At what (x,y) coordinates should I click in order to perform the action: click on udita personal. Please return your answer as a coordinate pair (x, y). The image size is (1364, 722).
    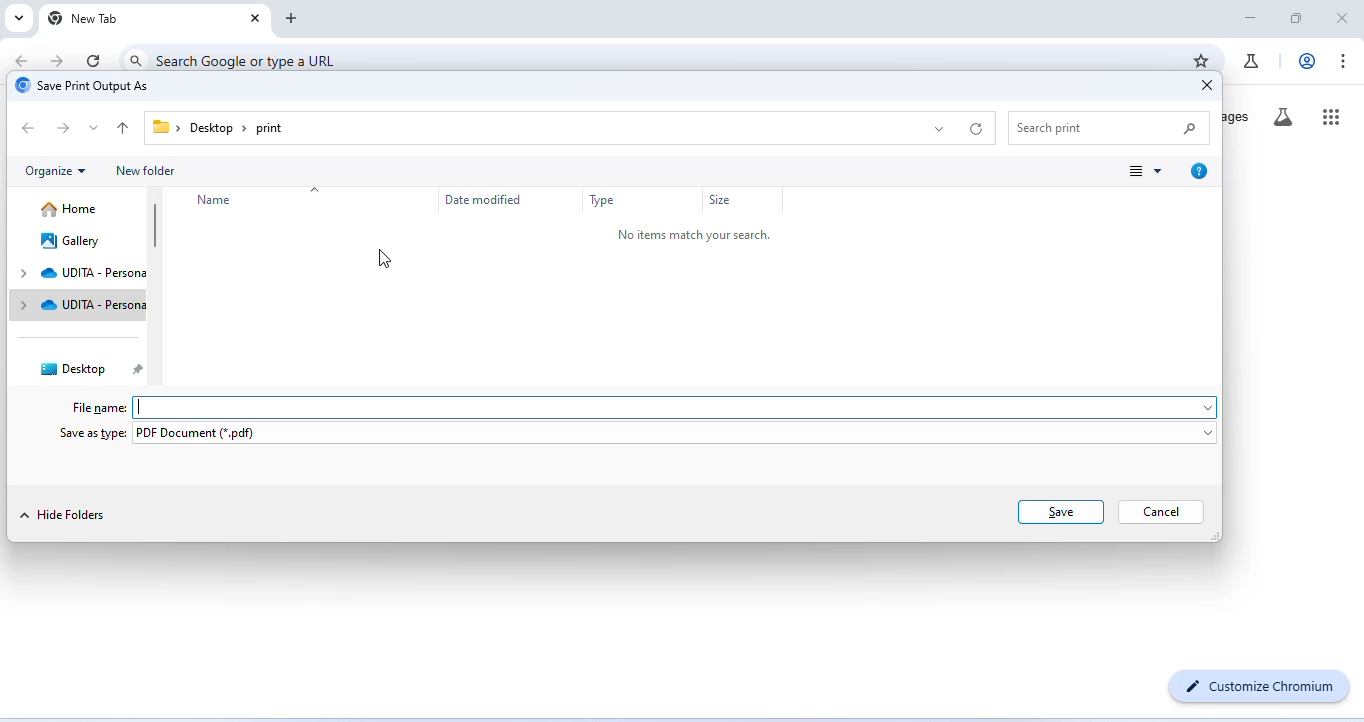
    Looking at the image, I should click on (95, 273).